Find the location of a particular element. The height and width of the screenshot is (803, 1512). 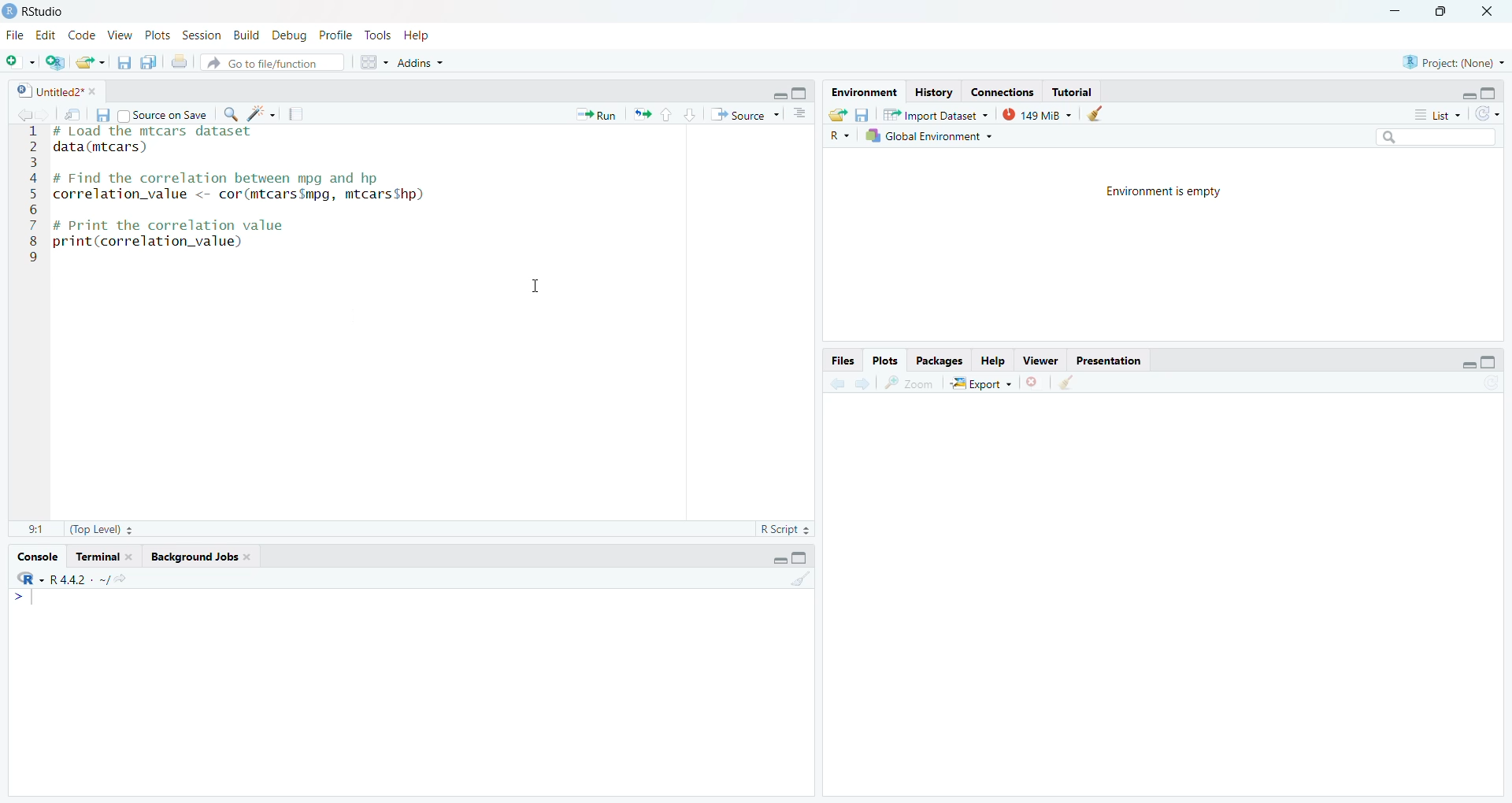

Session is located at coordinates (201, 35).